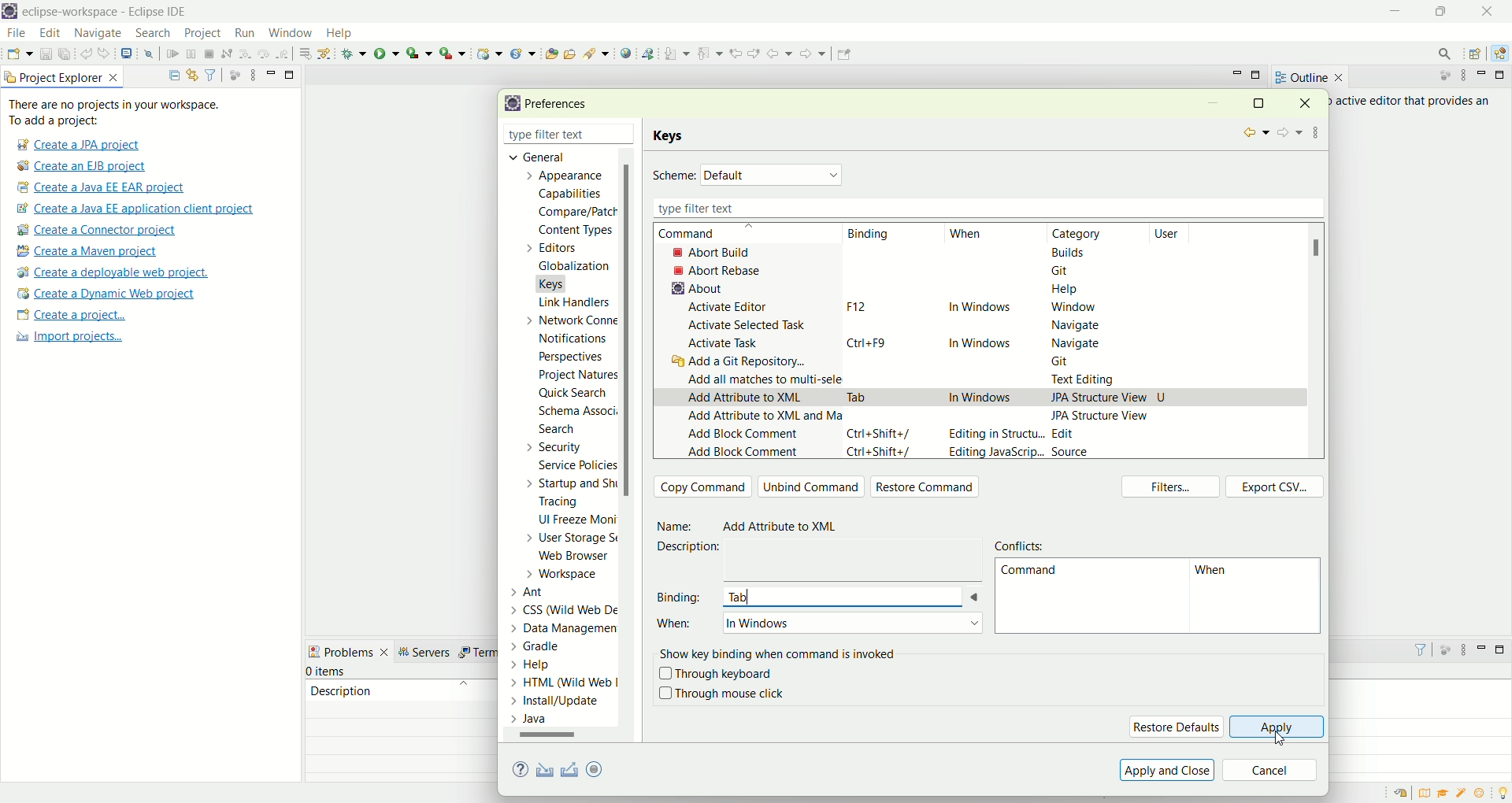 The image size is (1512, 803). I want to click on UI freeze monitoring, so click(576, 521).